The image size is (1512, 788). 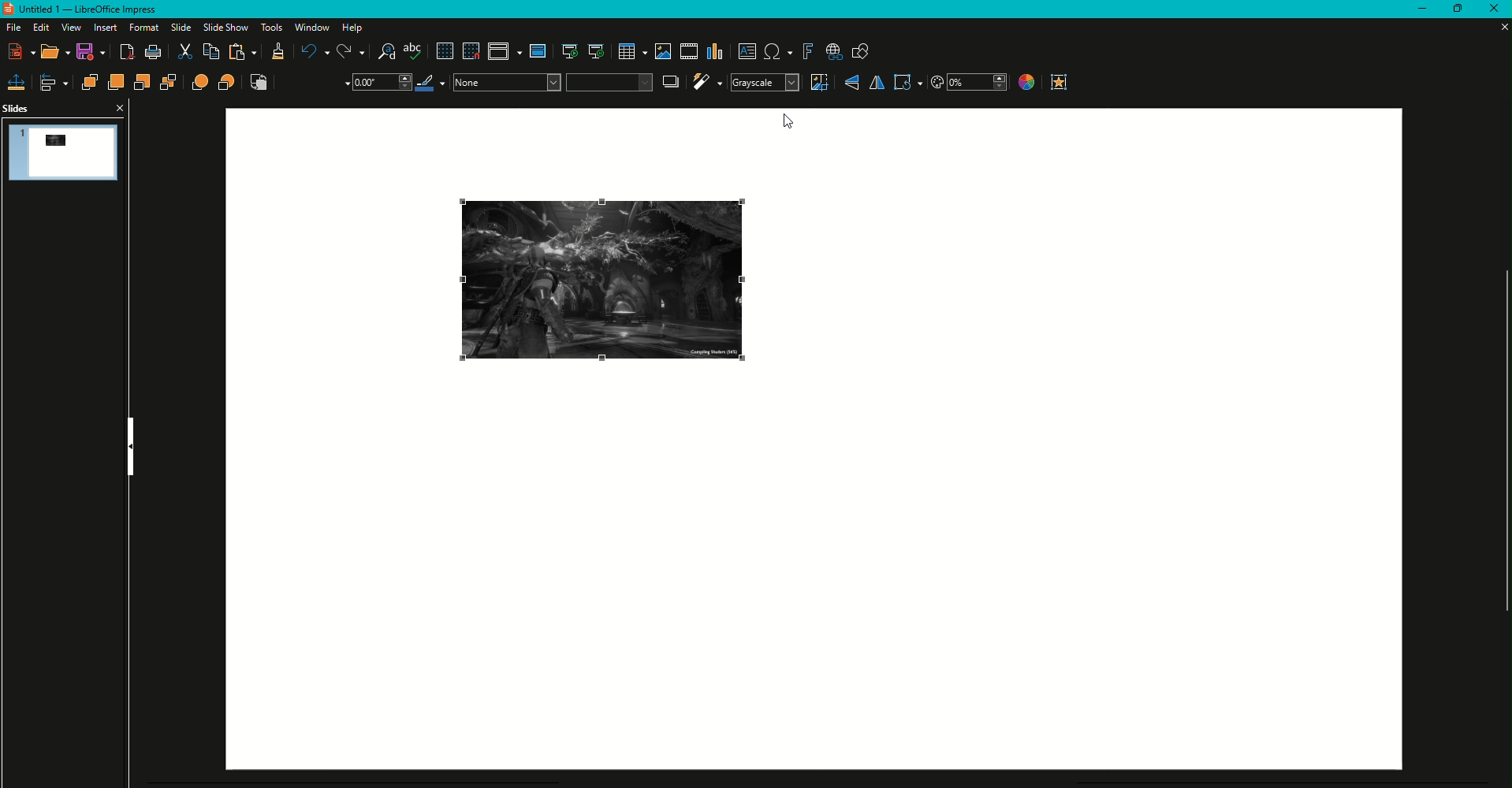 I want to click on Slide Show, so click(x=224, y=27).